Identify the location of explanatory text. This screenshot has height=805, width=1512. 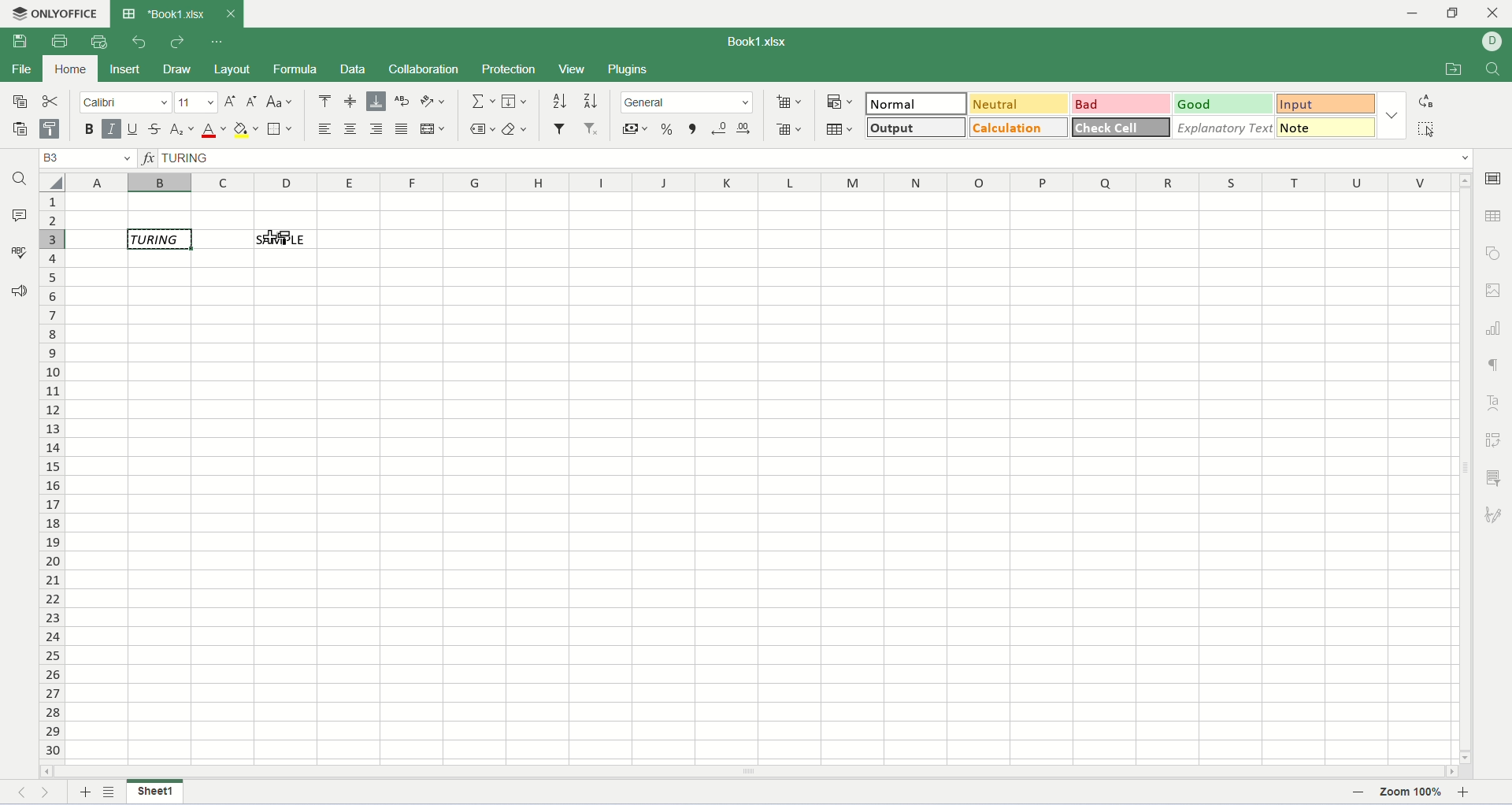
(1223, 128).